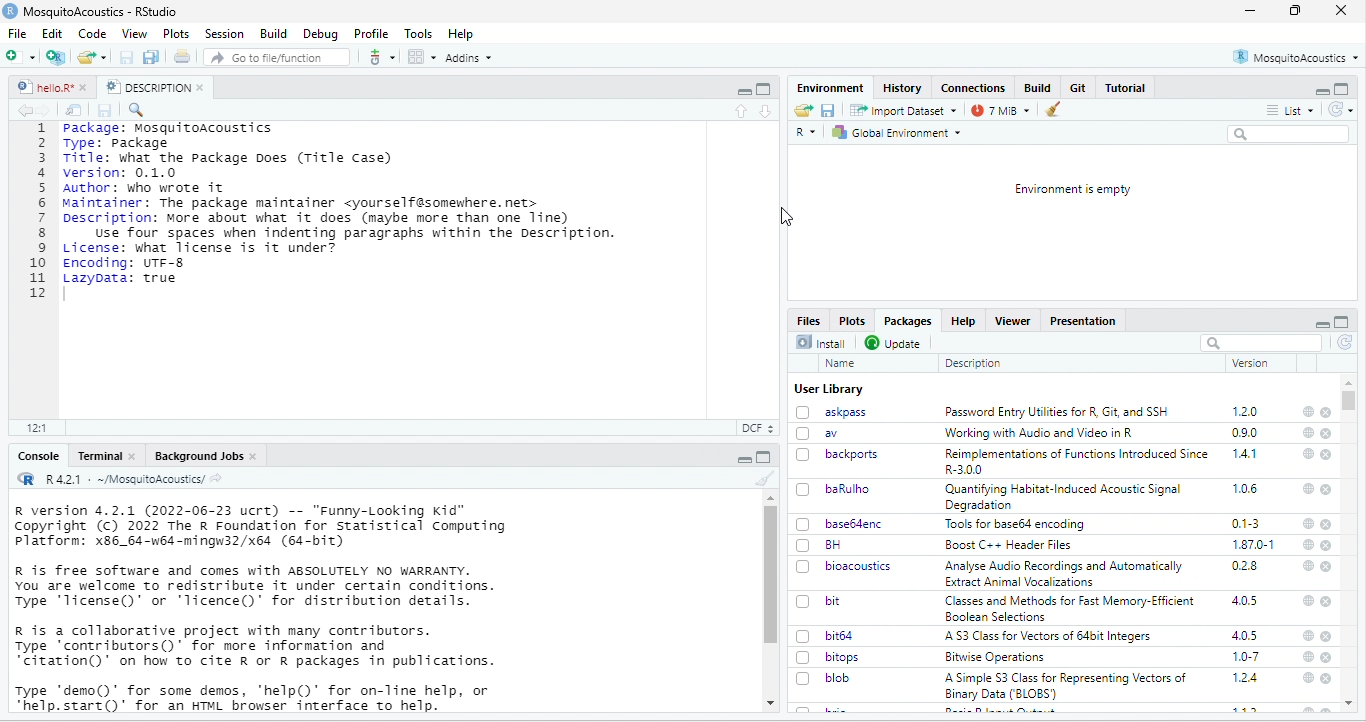 This screenshot has width=1366, height=722. I want to click on forward, so click(47, 110).